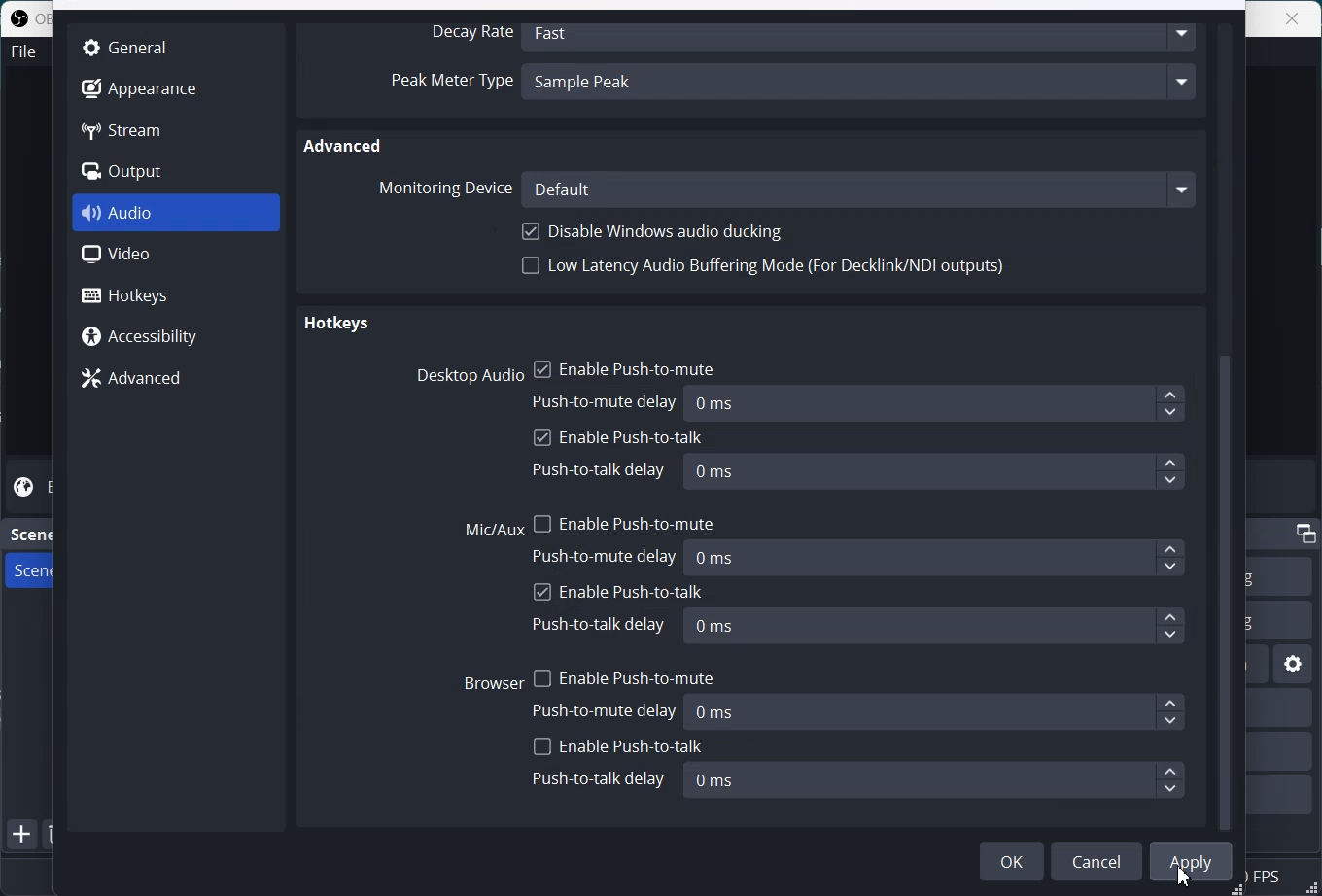 This screenshot has height=896, width=1322. What do you see at coordinates (177, 293) in the screenshot?
I see `Hotkeys` at bounding box center [177, 293].